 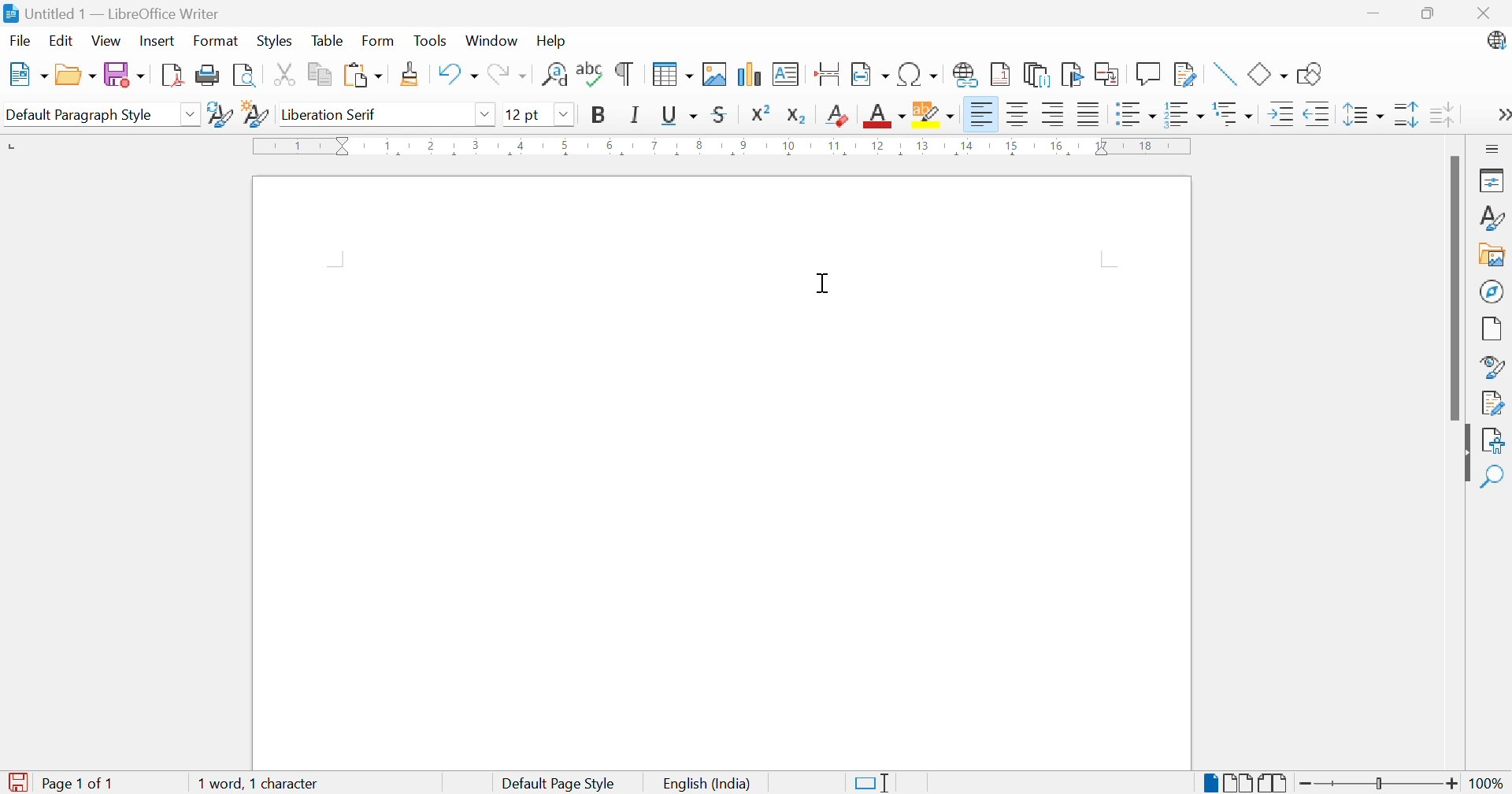 I want to click on Clear Direct Formatting, so click(x=838, y=117).